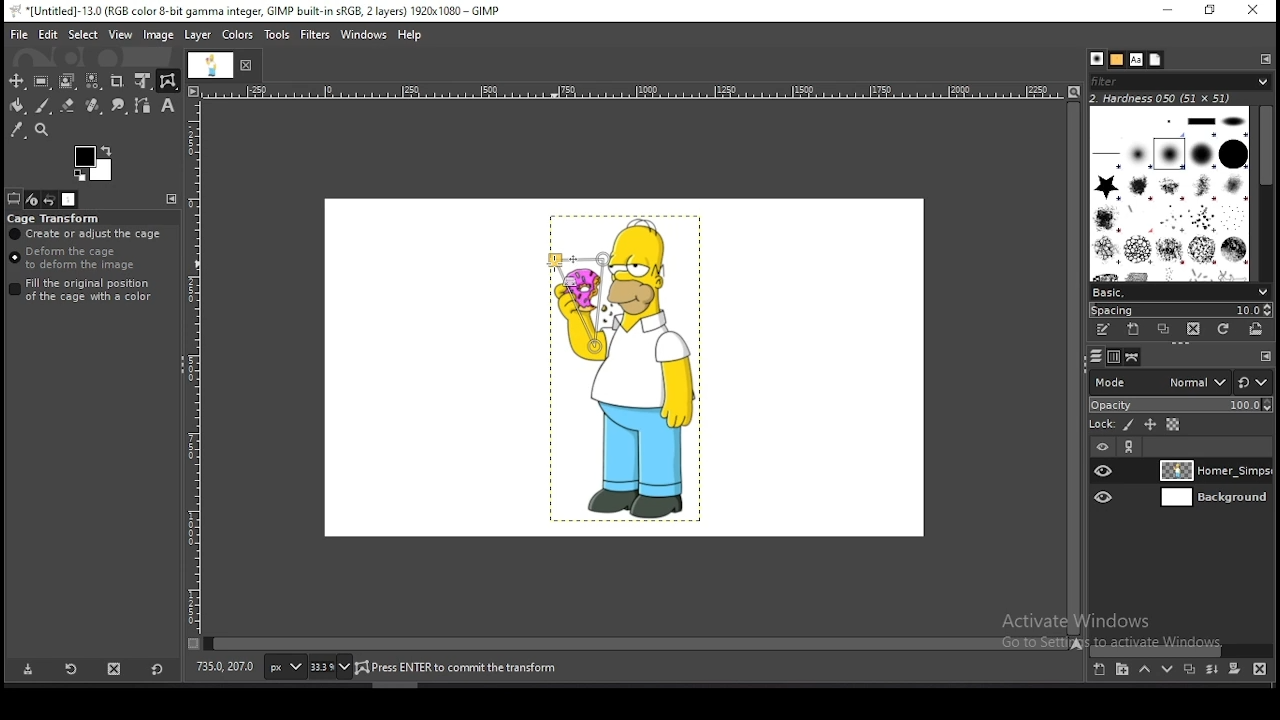  Describe the element at coordinates (1253, 382) in the screenshot. I see `rest` at that location.